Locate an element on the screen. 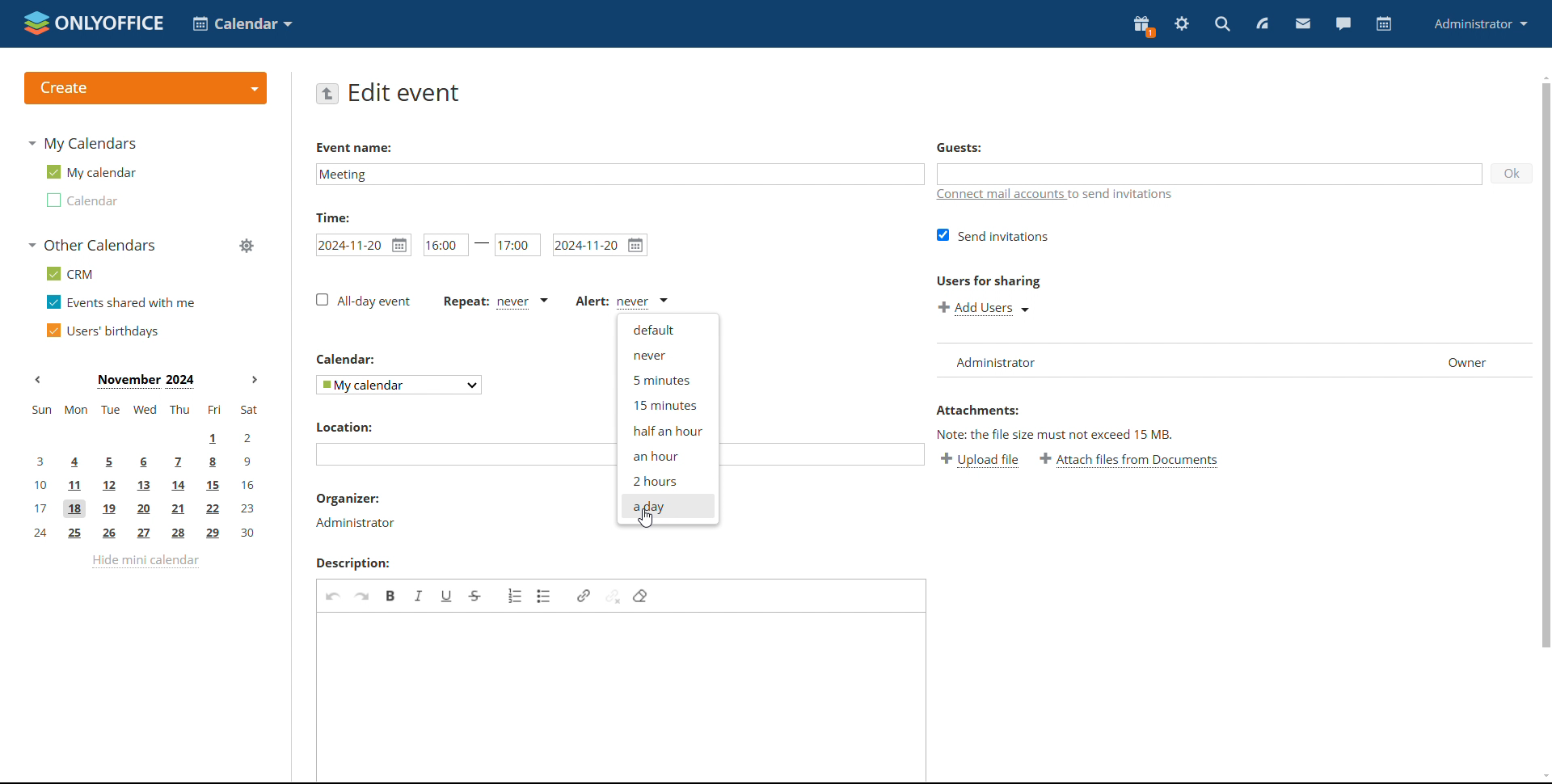 The width and height of the screenshot is (1552, 784). attach files from documents is located at coordinates (1128, 458).